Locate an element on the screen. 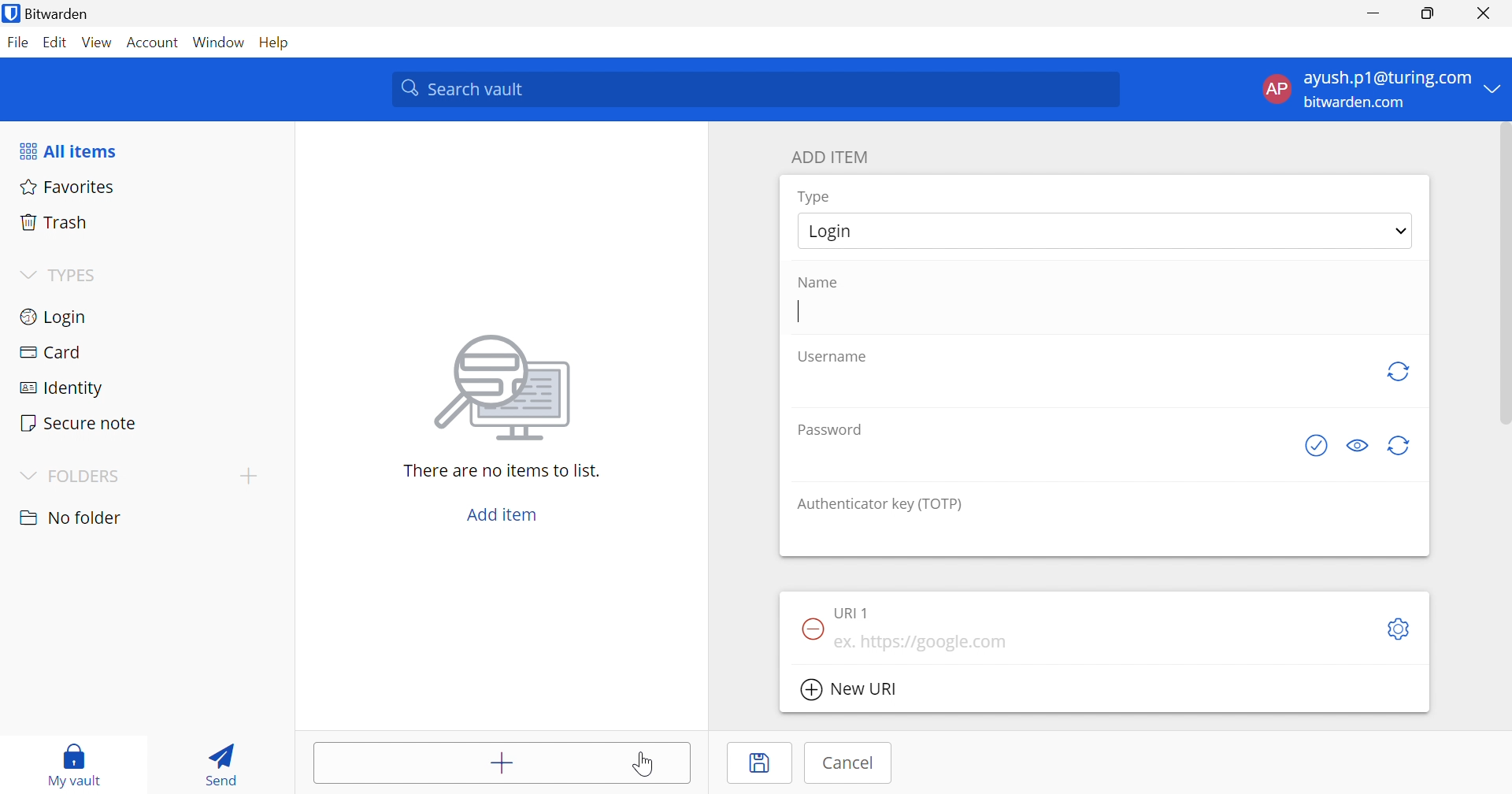  Generate password is located at coordinates (1403, 447).